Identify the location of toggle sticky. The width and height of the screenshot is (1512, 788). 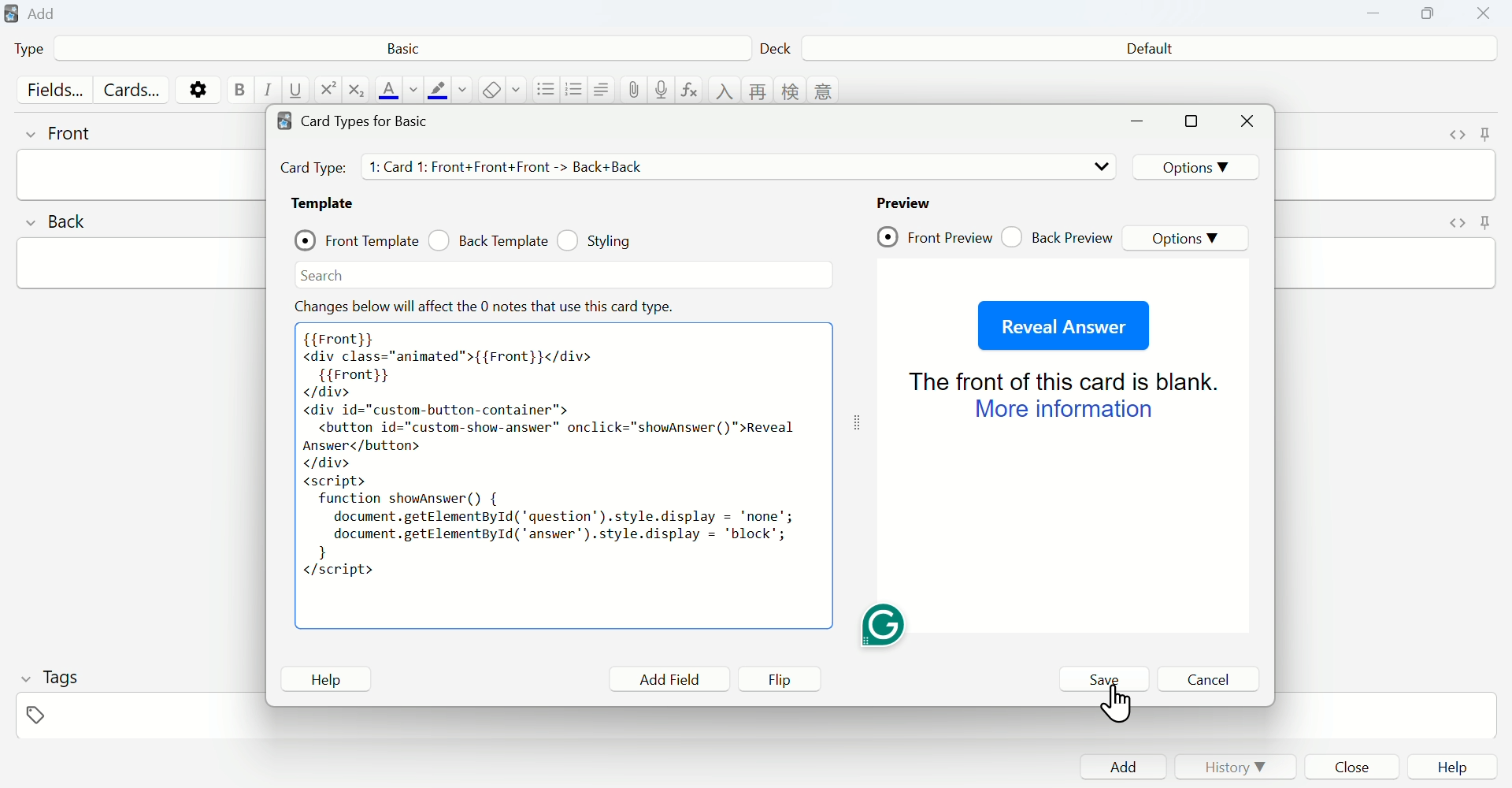
(1485, 222).